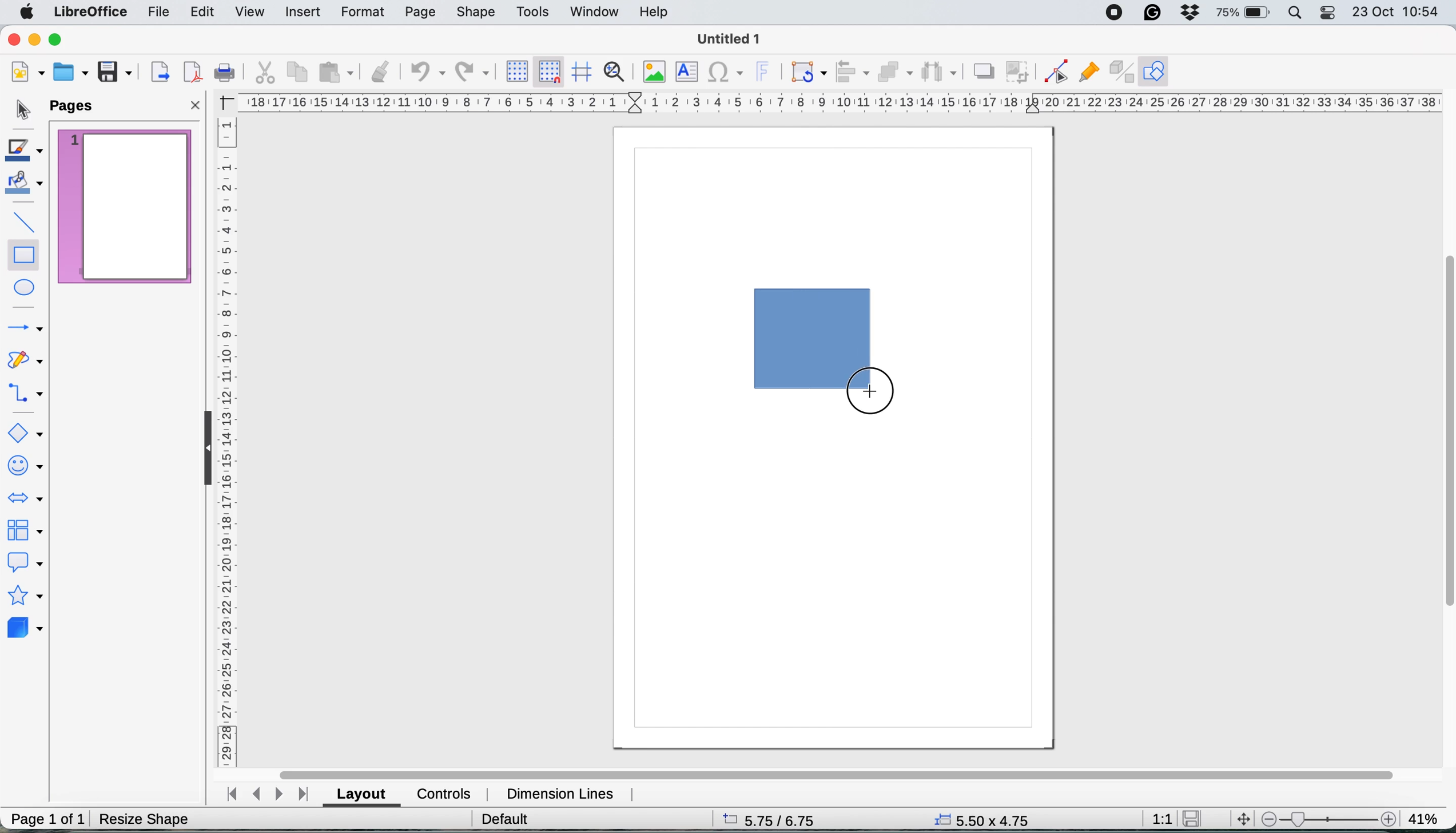  I want to click on libreoffice, so click(87, 13).